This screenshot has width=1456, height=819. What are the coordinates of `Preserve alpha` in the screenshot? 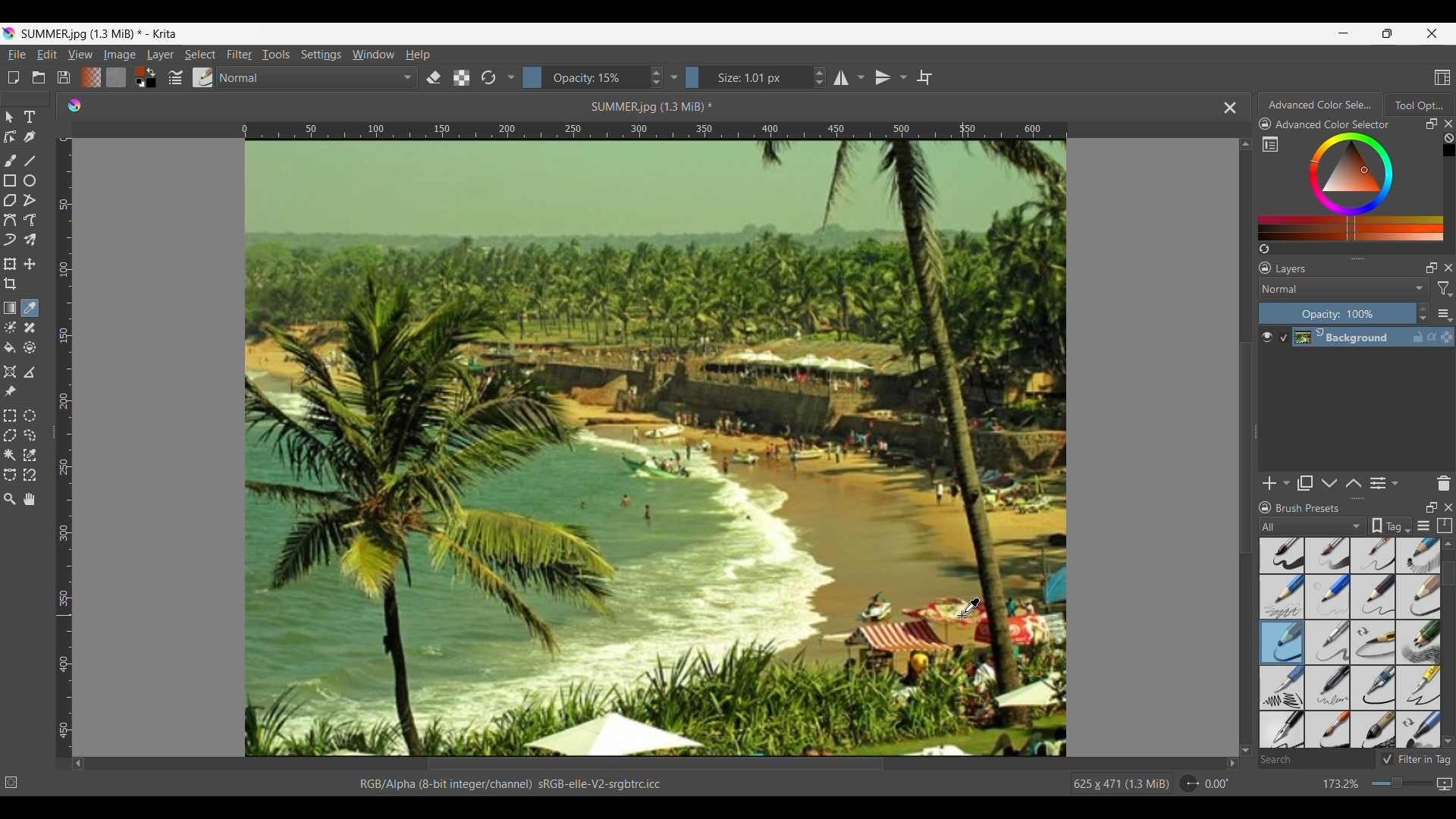 It's located at (461, 78).